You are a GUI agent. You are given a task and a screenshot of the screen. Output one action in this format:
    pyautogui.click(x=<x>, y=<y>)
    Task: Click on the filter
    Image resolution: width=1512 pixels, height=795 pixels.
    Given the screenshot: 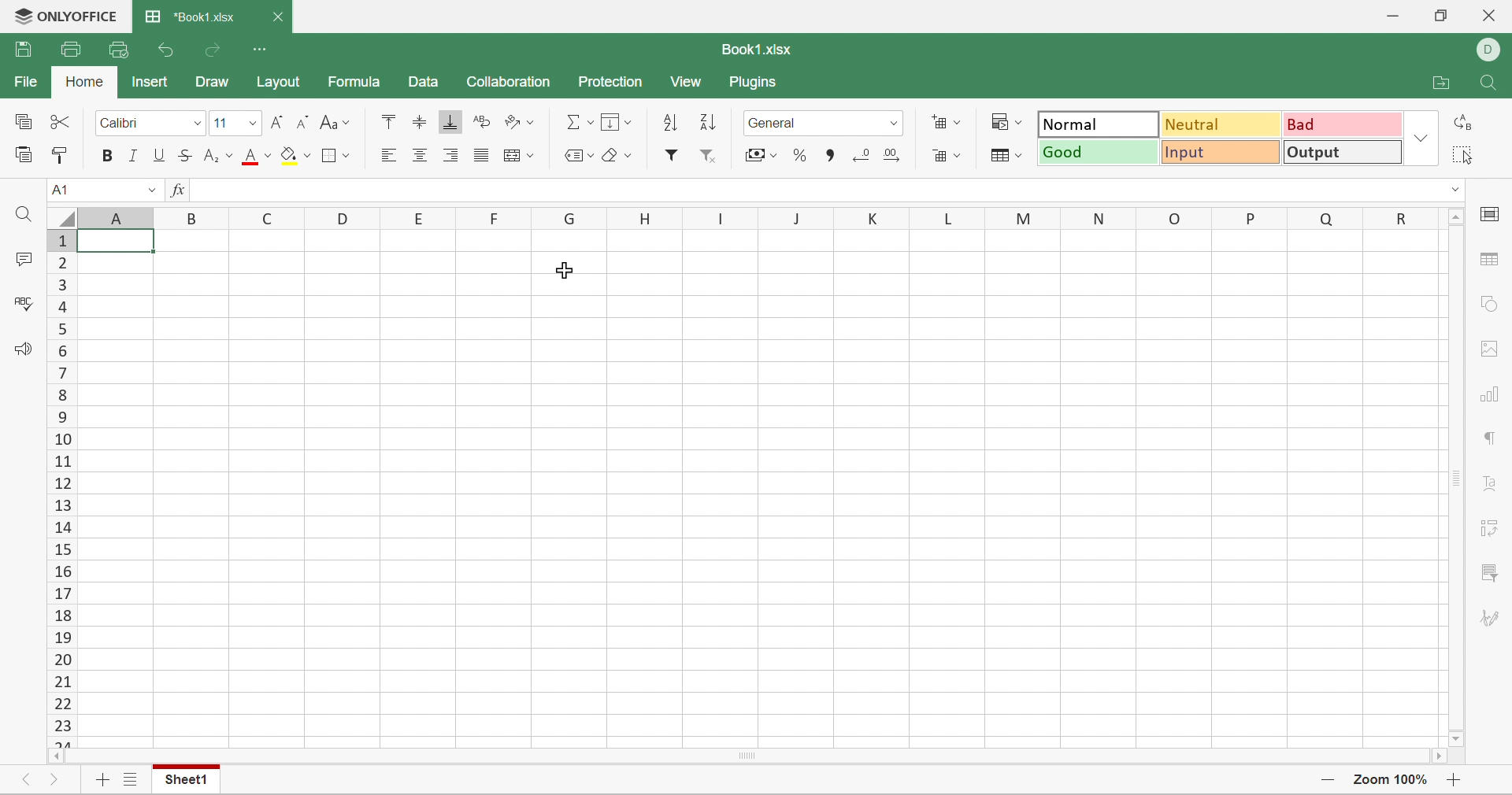 What is the action you would take?
    pyautogui.click(x=669, y=157)
    